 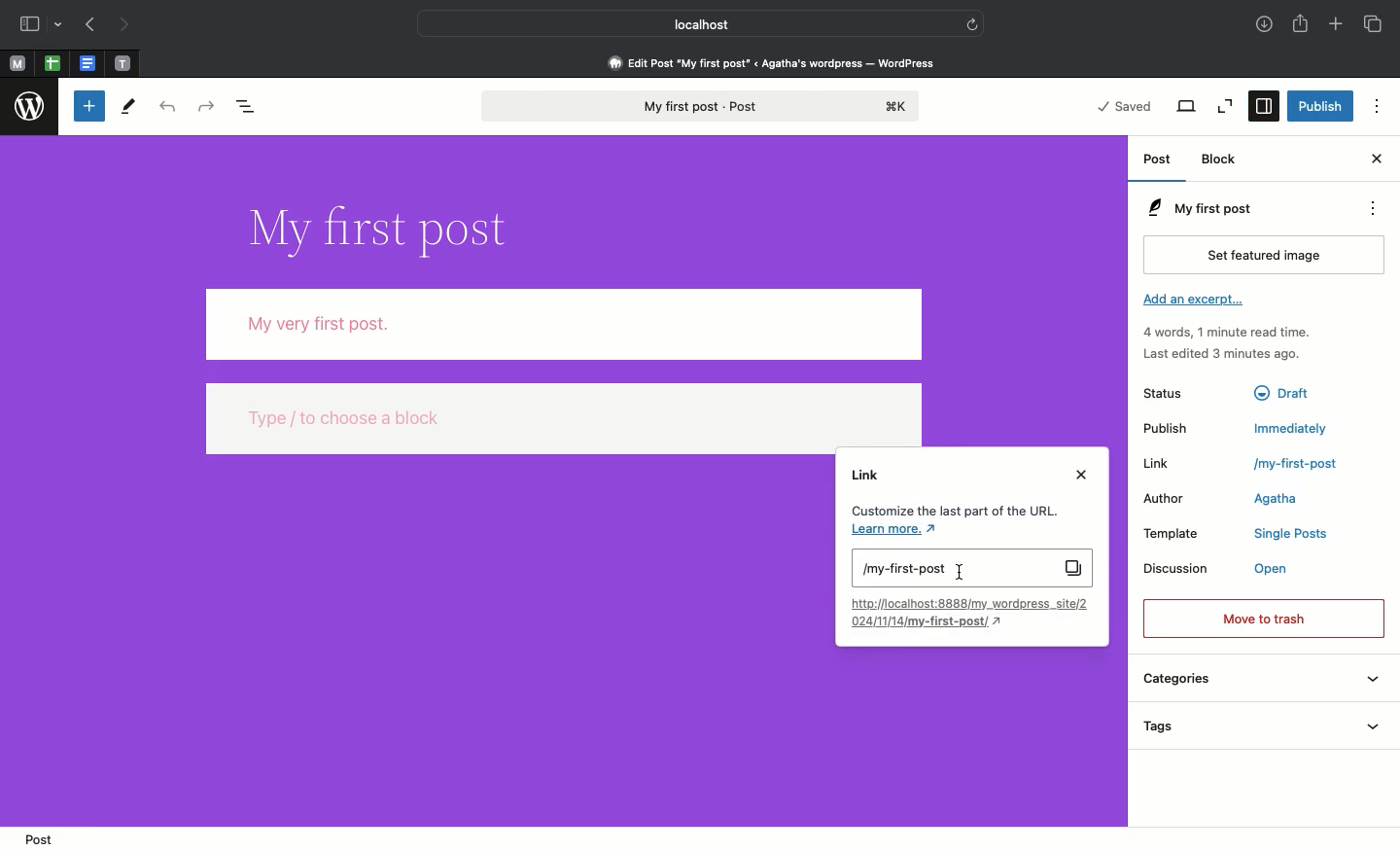 I want to click on Single Posts, so click(x=1289, y=533).